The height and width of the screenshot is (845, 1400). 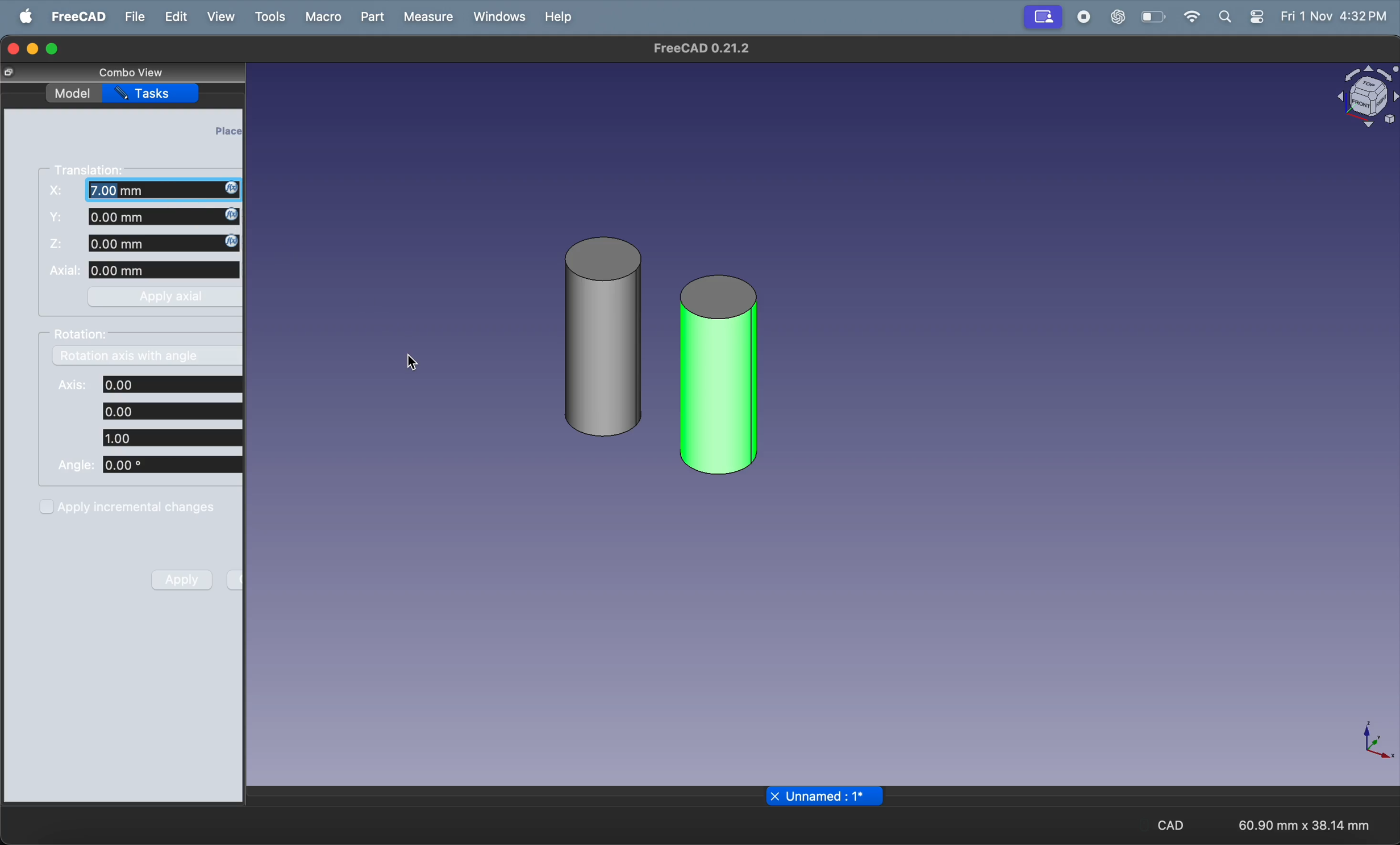 What do you see at coordinates (47, 508) in the screenshot?
I see `checkbox` at bounding box center [47, 508].